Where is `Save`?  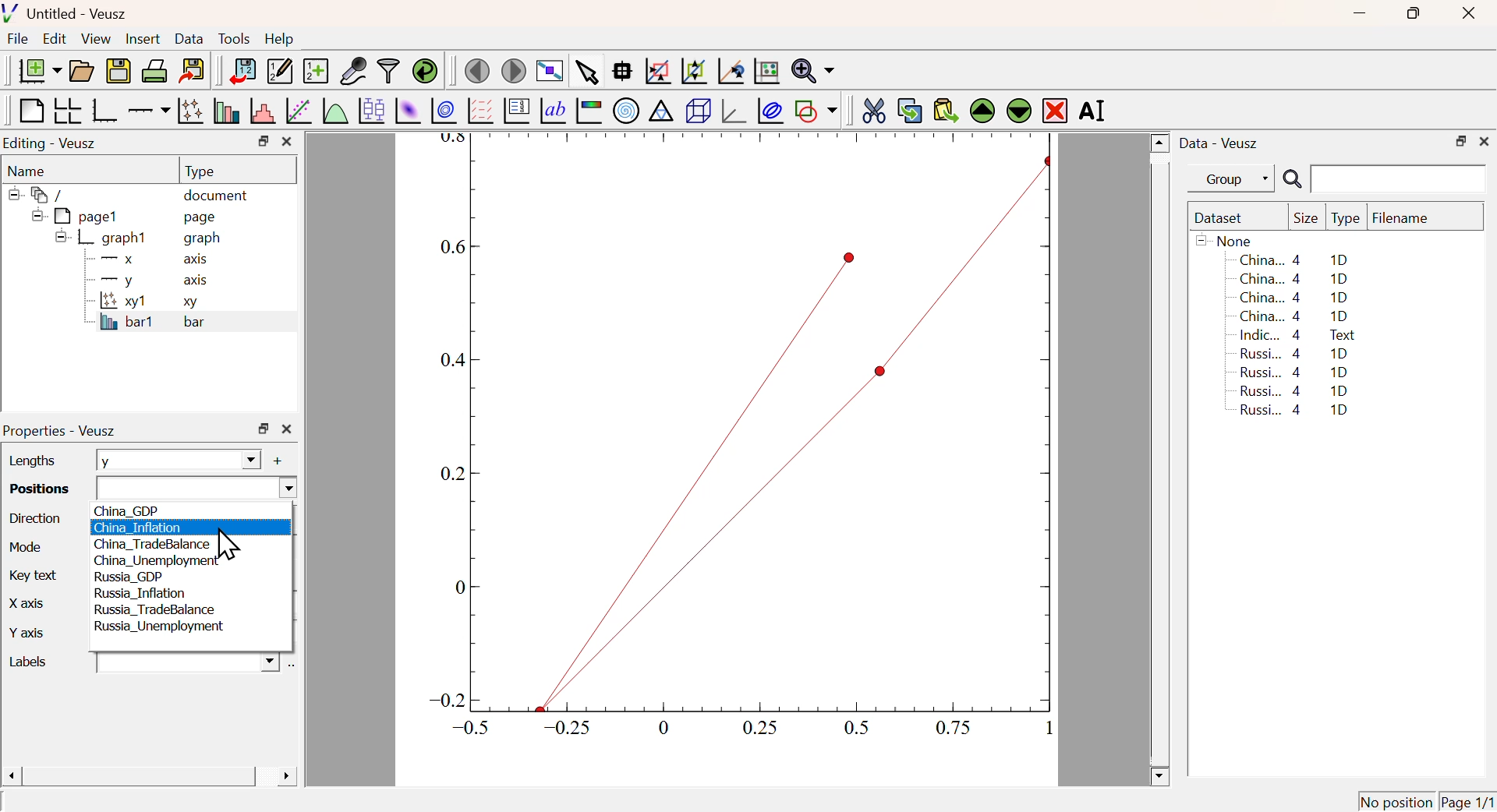 Save is located at coordinates (119, 72).